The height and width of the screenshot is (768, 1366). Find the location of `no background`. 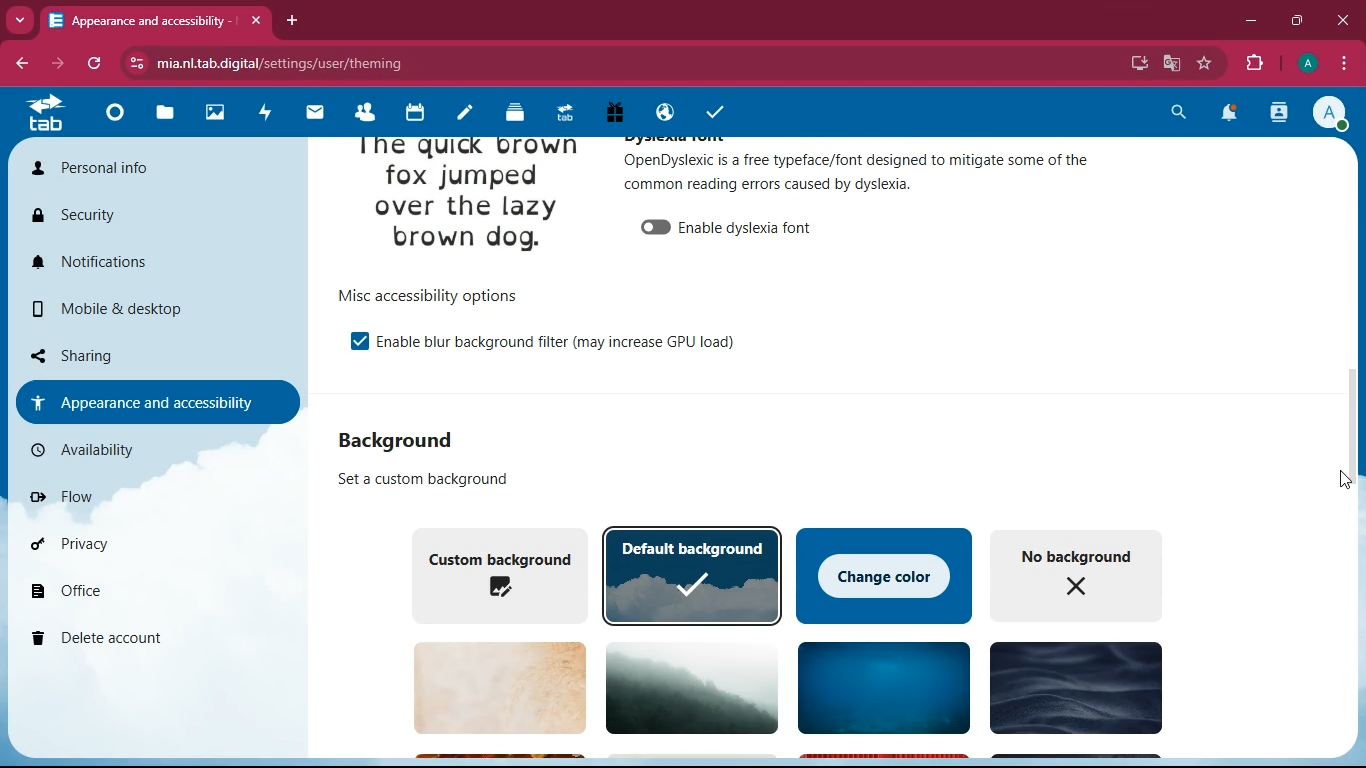

no background is located at coordinates (1077, 574).